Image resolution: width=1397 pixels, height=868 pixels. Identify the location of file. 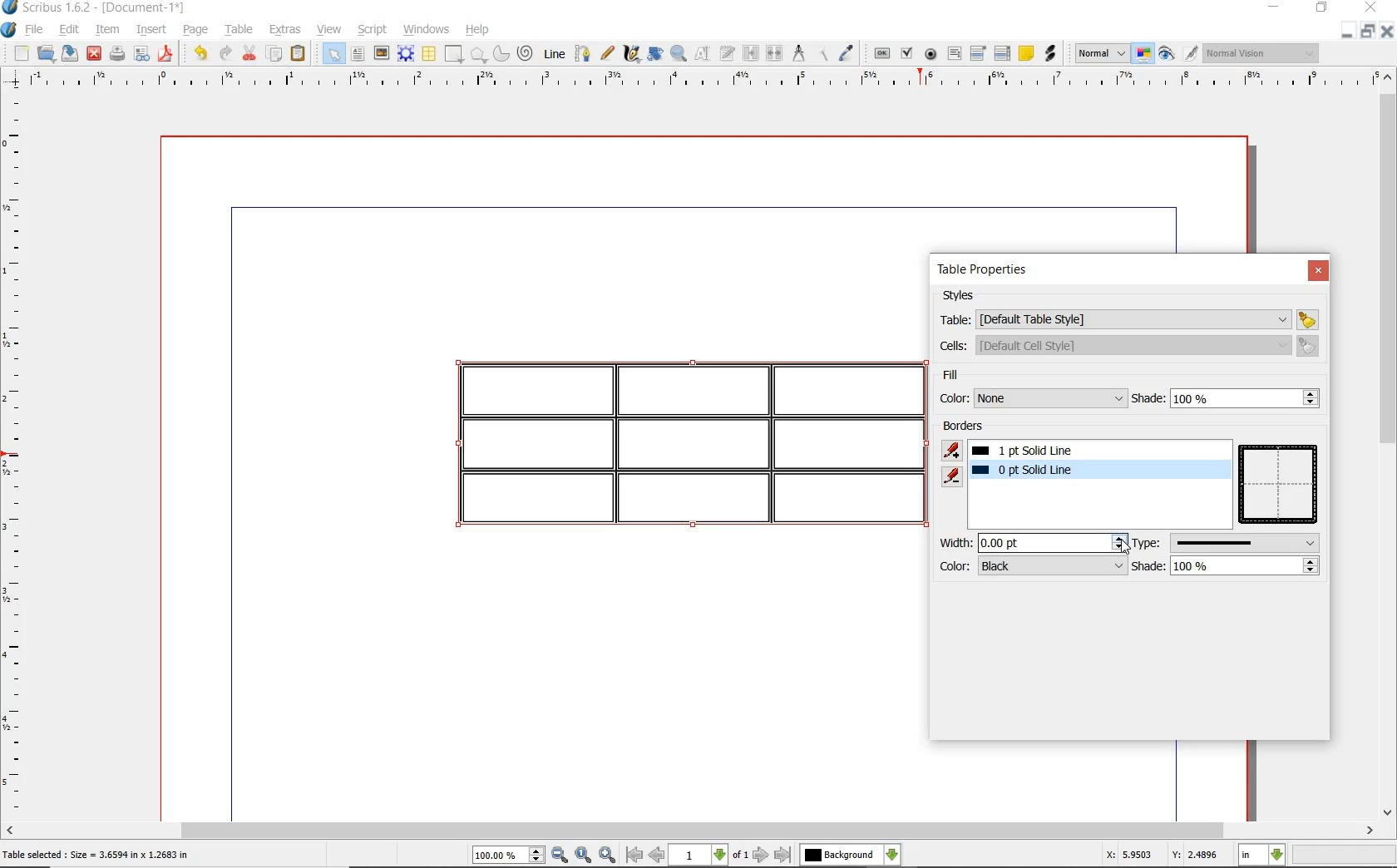
(36, 31).